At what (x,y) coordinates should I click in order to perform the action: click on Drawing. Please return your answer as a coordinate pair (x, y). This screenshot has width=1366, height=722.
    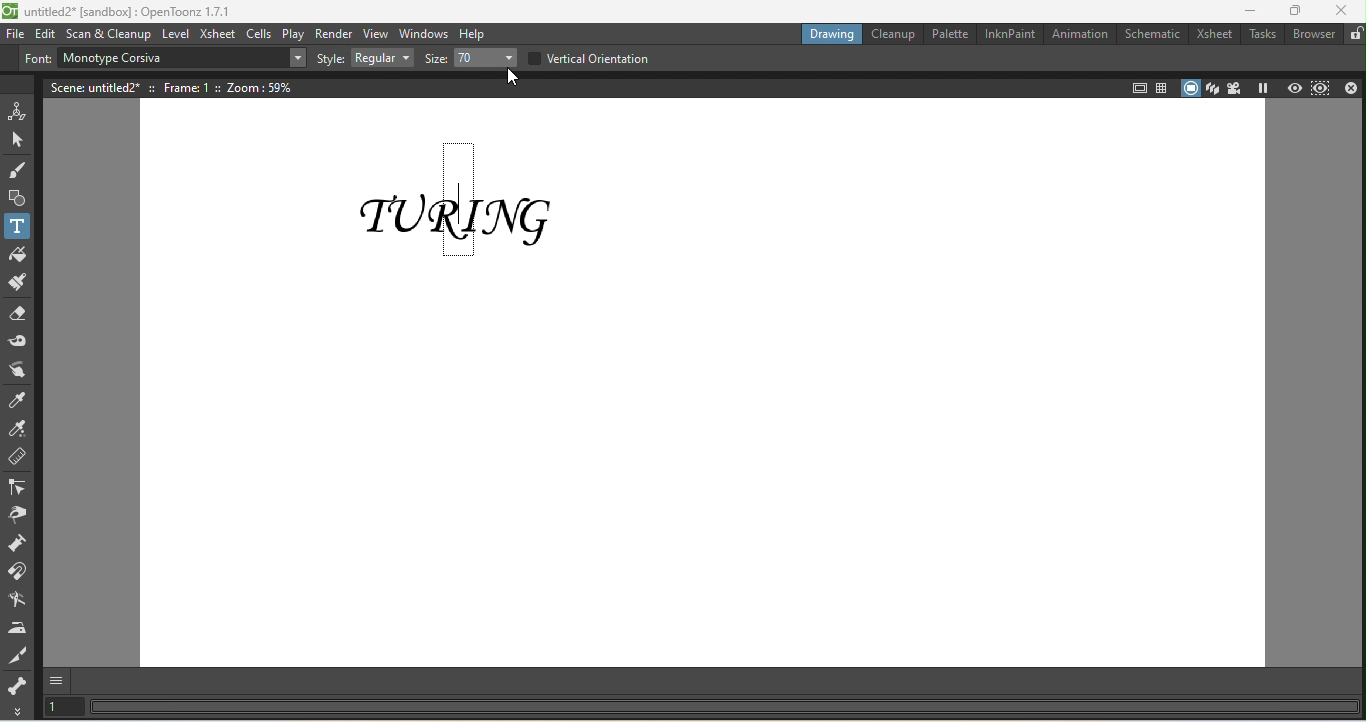
    Looking at the image, I should click on (829, 35).